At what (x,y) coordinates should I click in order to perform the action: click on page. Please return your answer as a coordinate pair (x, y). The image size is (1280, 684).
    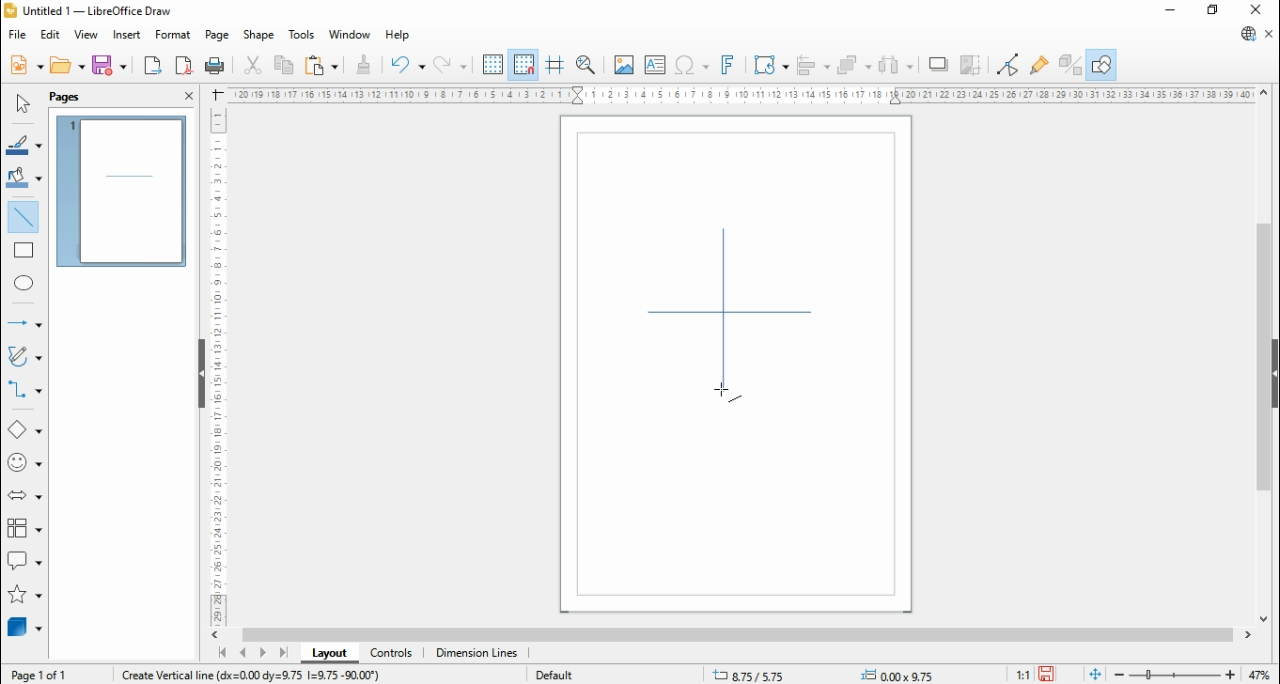
    Looking at the image, I should click on (65, 98).